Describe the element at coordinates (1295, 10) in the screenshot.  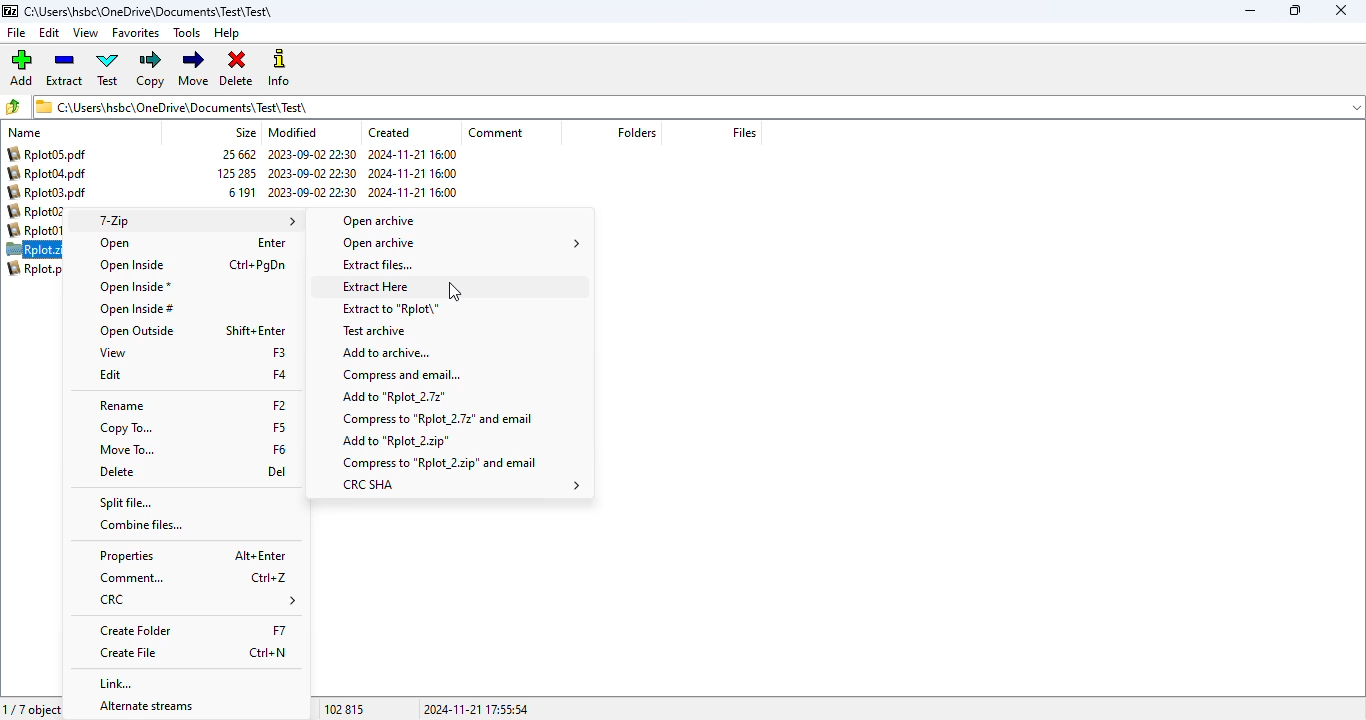
I see `maximize` at that location.